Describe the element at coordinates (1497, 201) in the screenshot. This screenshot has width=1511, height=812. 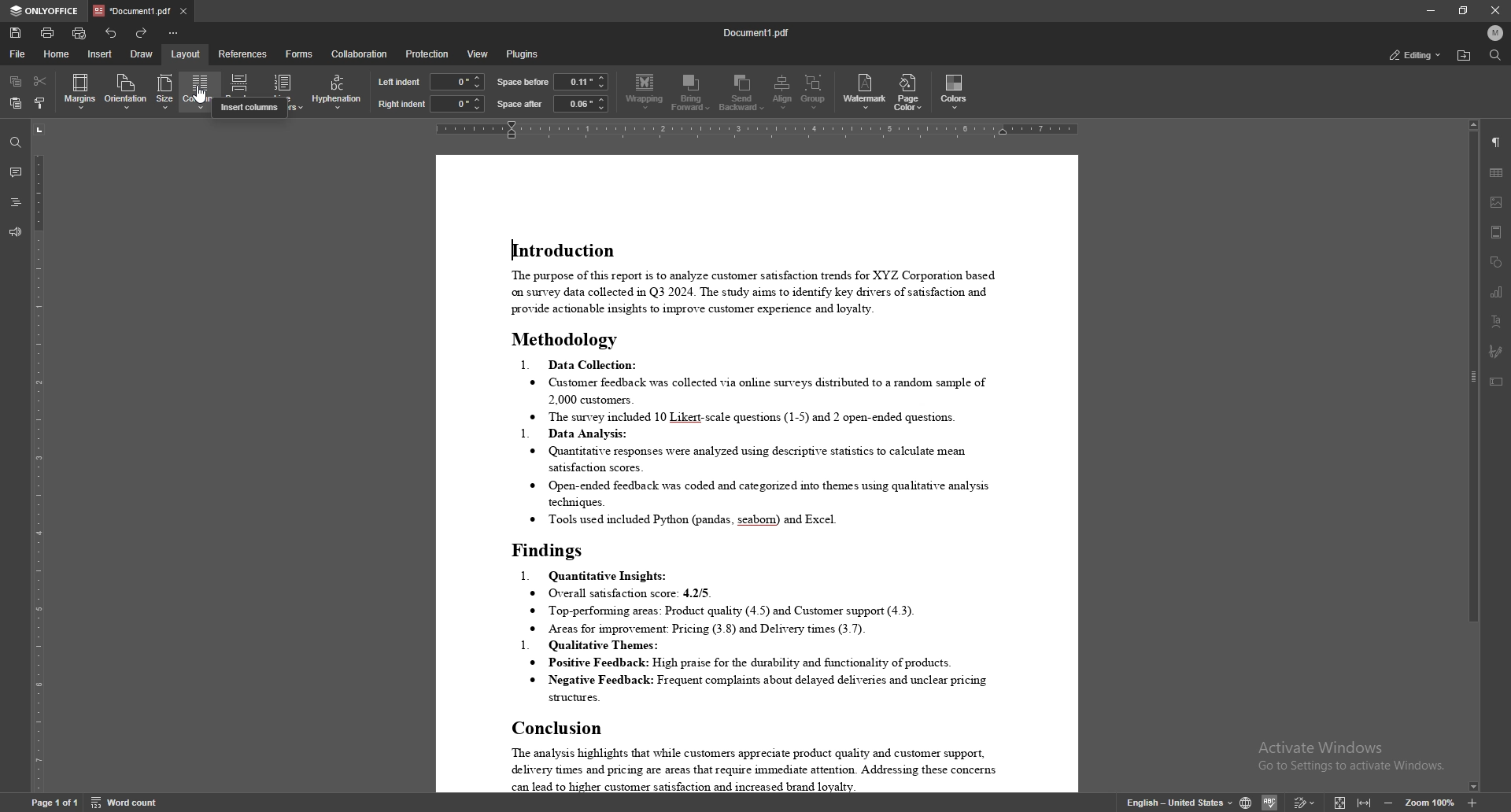
I see `image` at that location.